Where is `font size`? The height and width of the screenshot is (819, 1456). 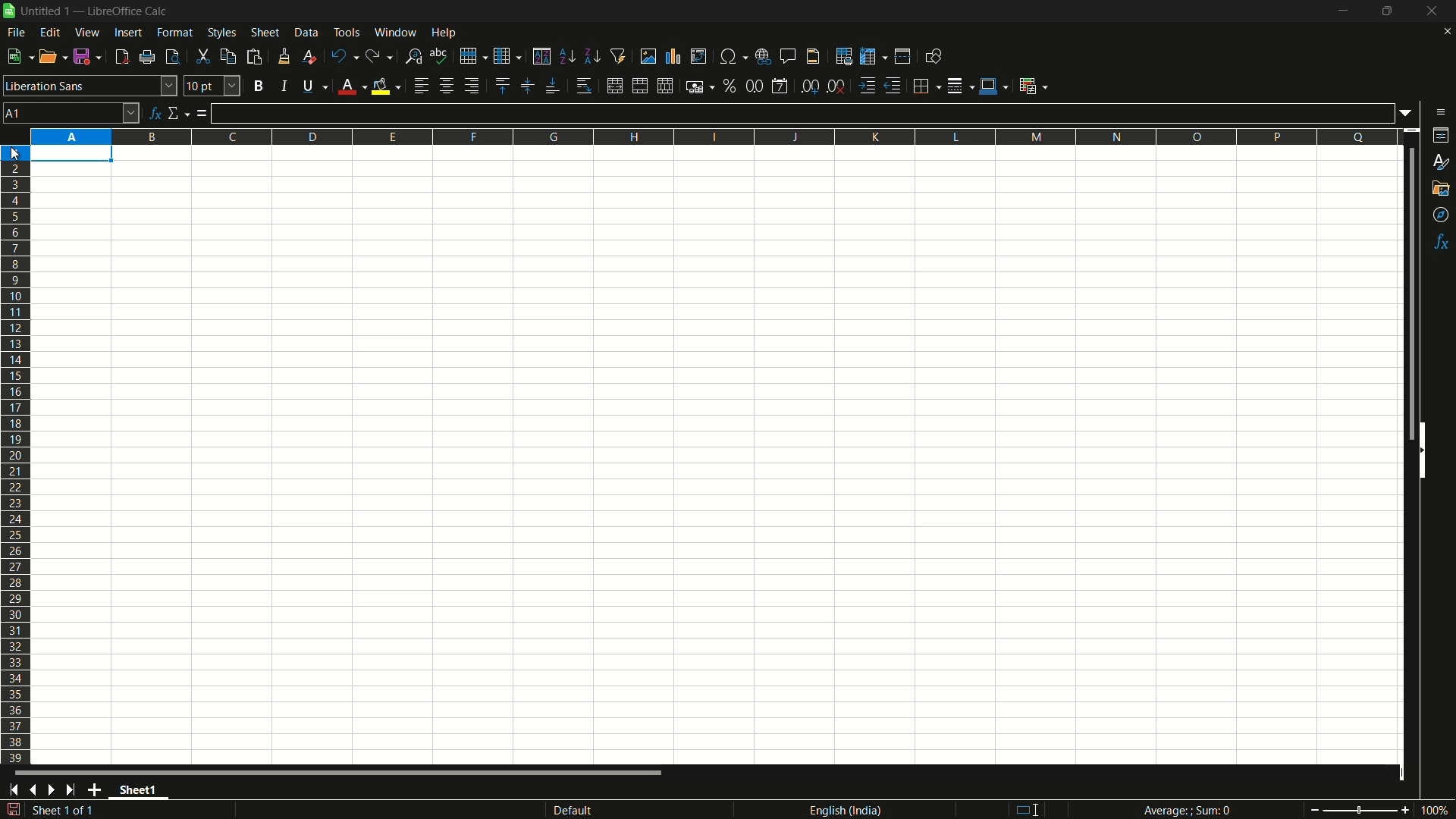
font size is located at coordinates (212, 86).